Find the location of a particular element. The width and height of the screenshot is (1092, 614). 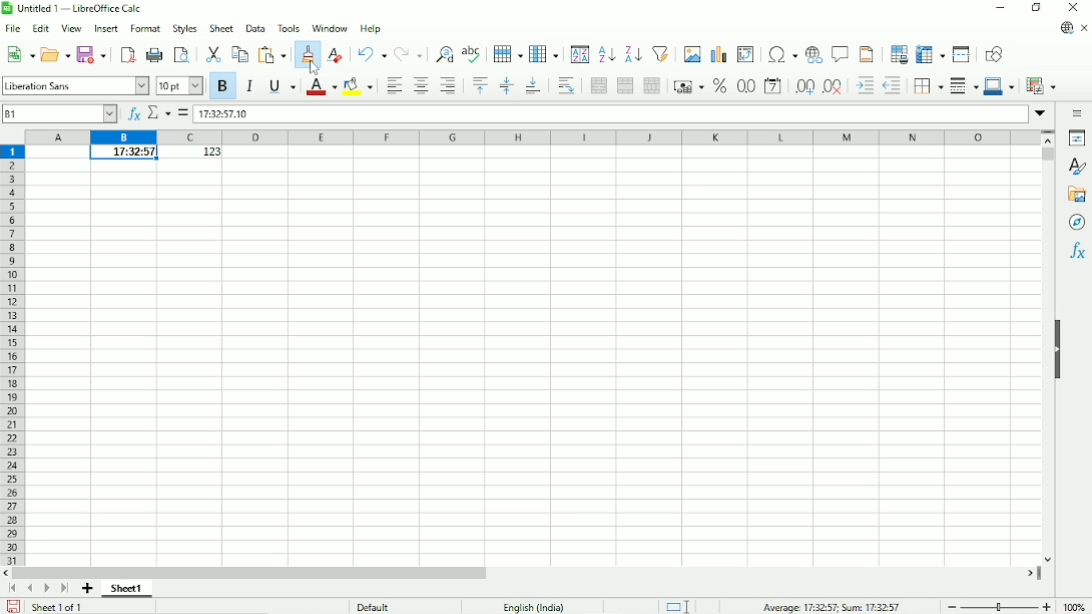

Expand formula bar is located at coordinates (1042, 115).